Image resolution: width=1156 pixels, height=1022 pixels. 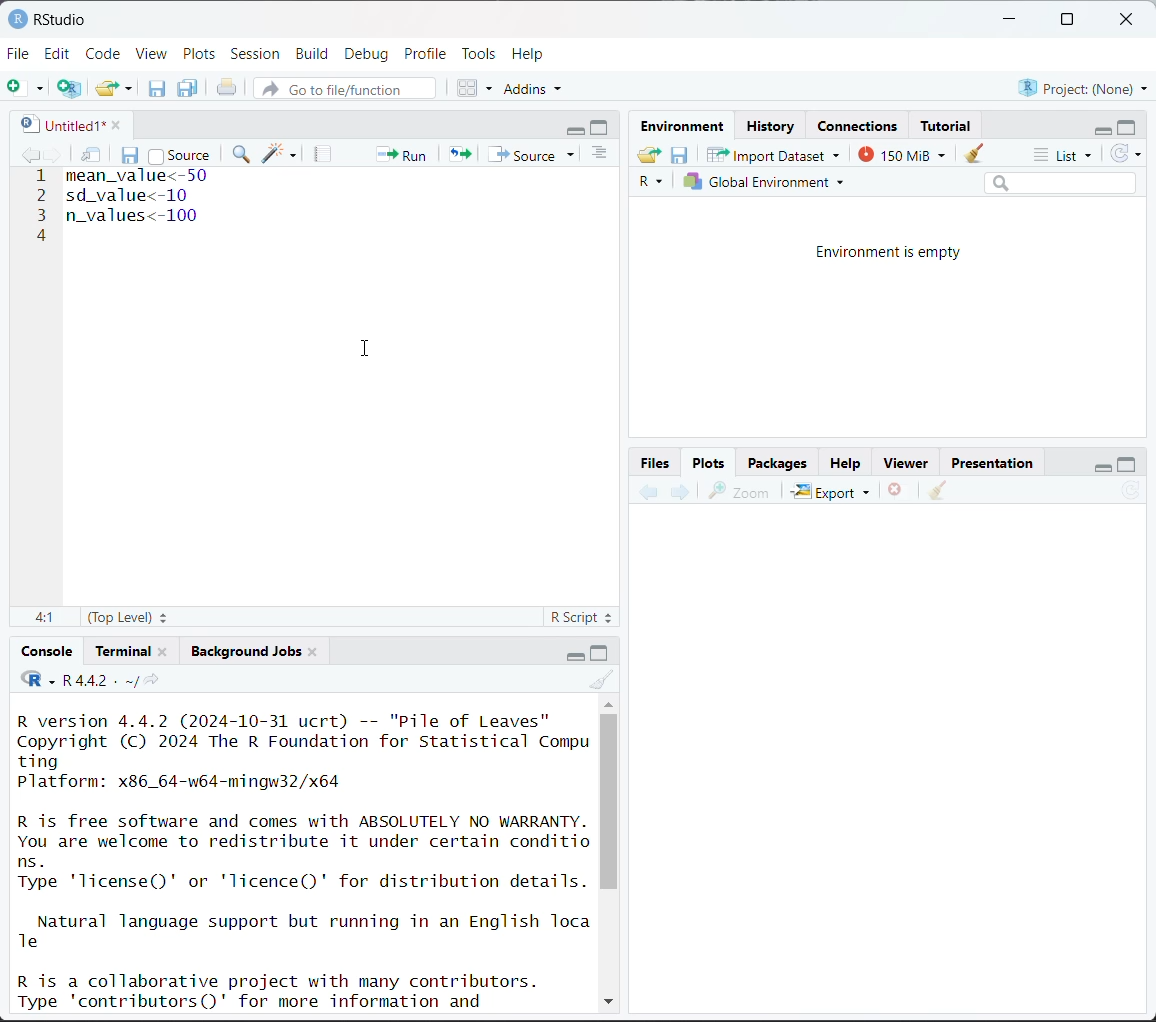 I want to click on Tutorial, so click(x=948, y=123).